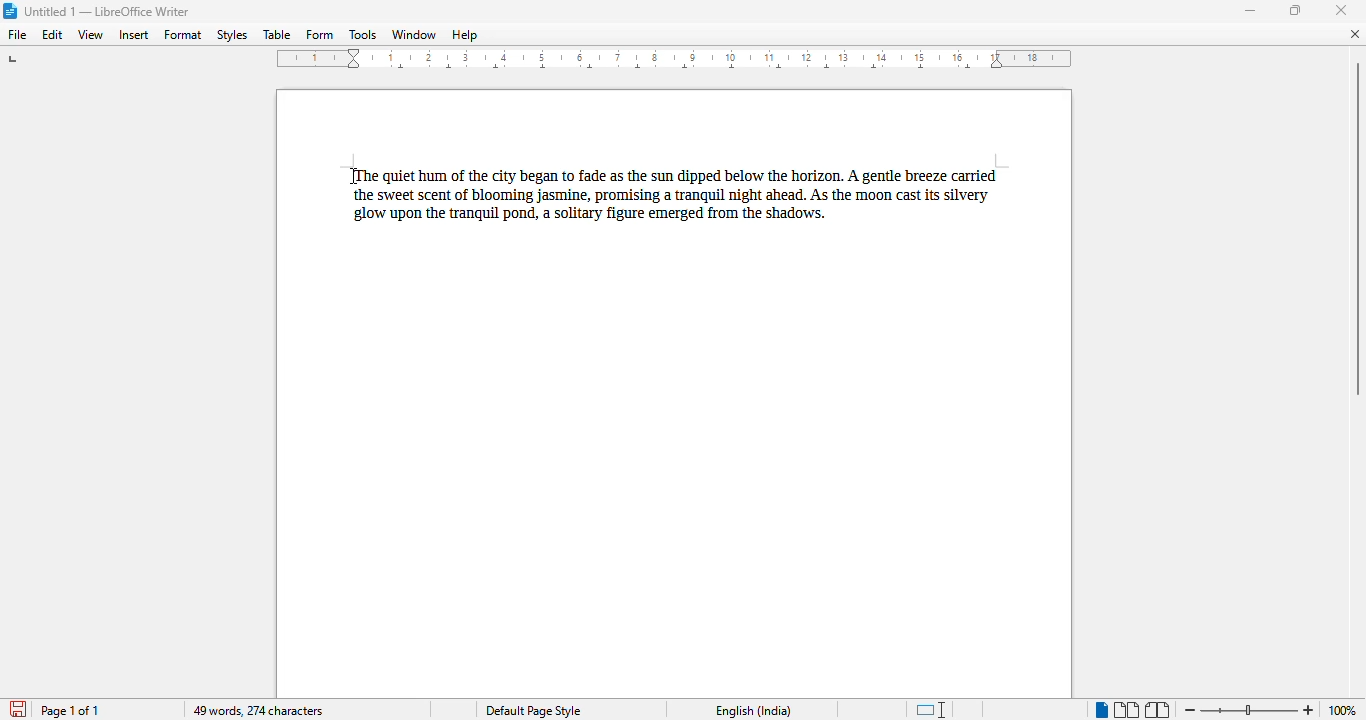 This screenshot has height=720, width=1366. Describe the element at coordinates (753, 710) in the screenshot. I see `text language` at that location.